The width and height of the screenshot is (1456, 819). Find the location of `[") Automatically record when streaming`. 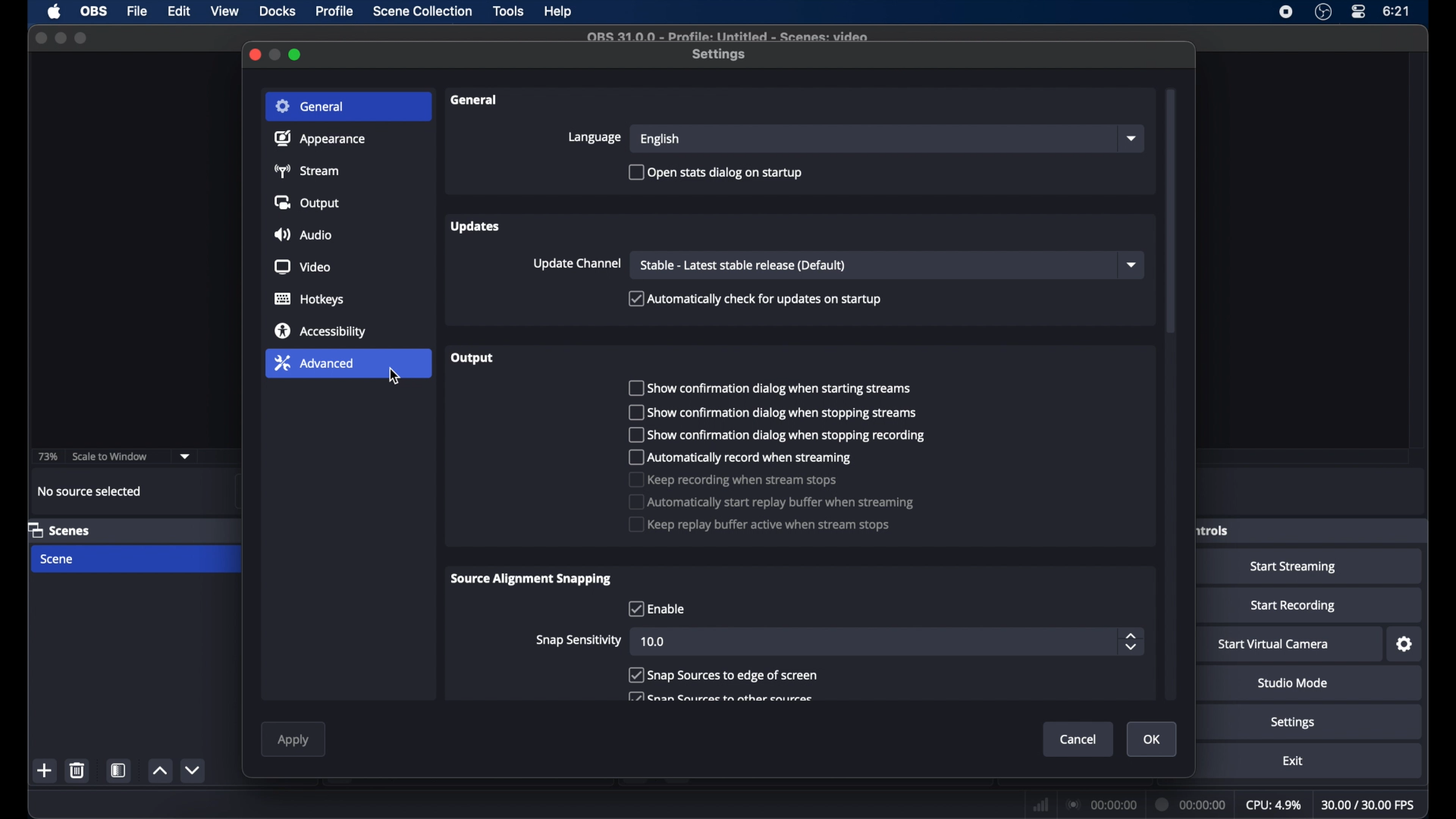

[") Automatically record when streaming is located at coordinates (747, 459).